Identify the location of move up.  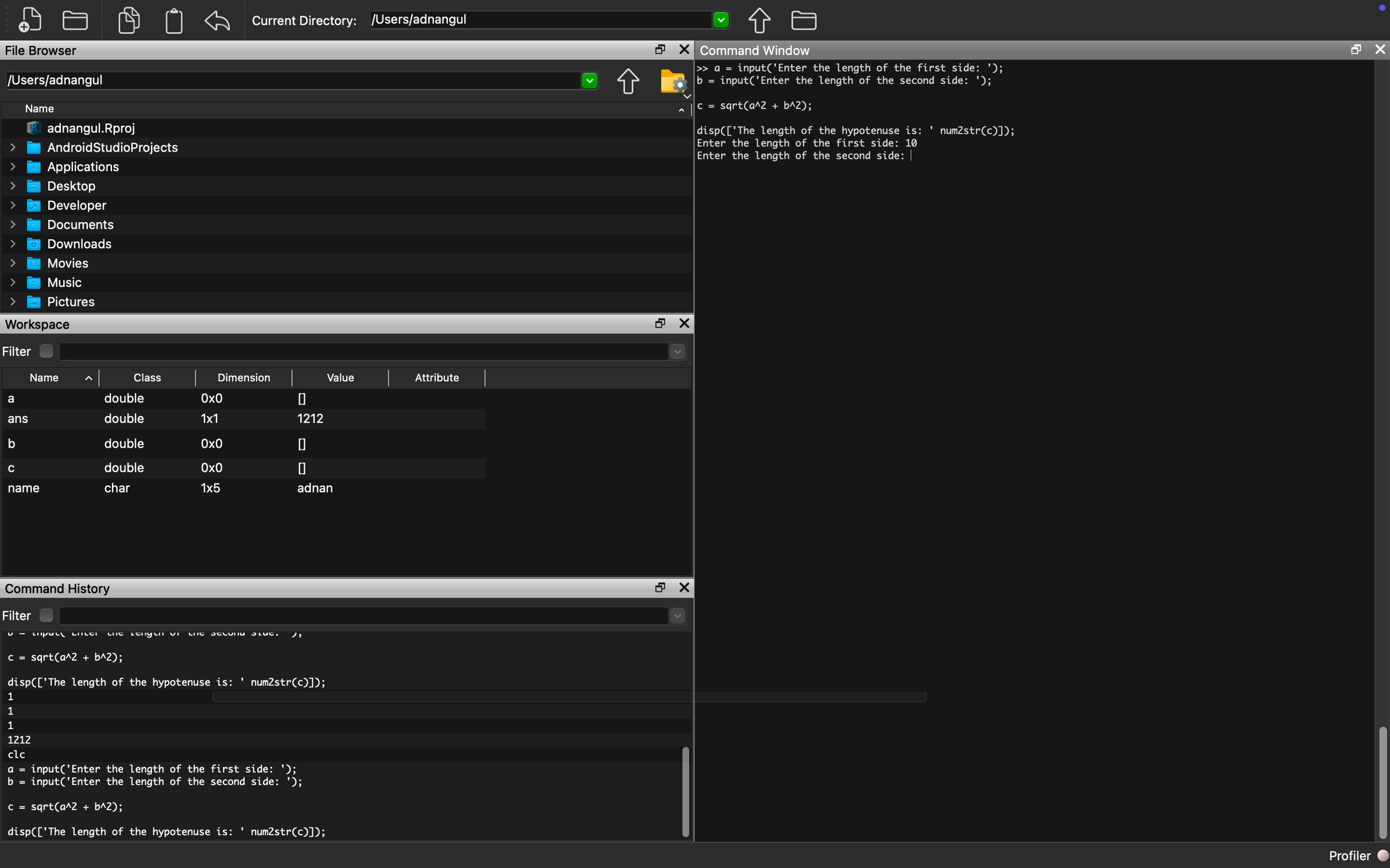
(628, 83).